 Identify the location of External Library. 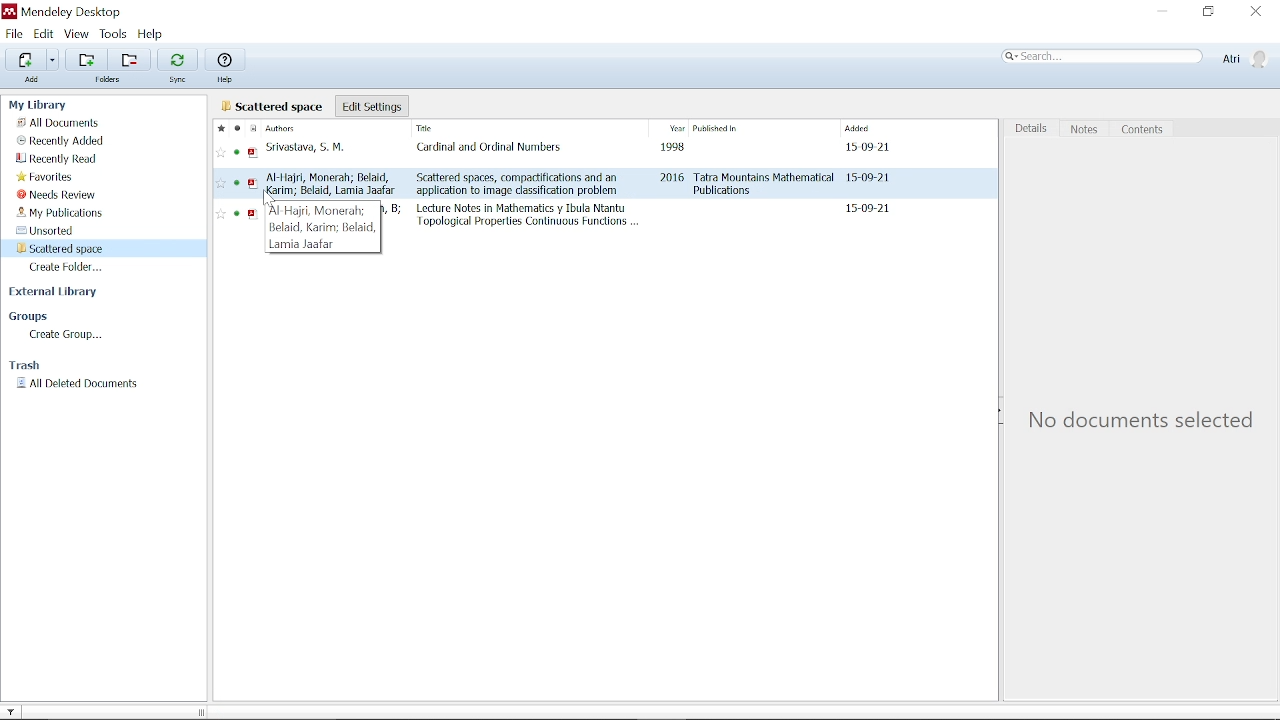
(56, 293).